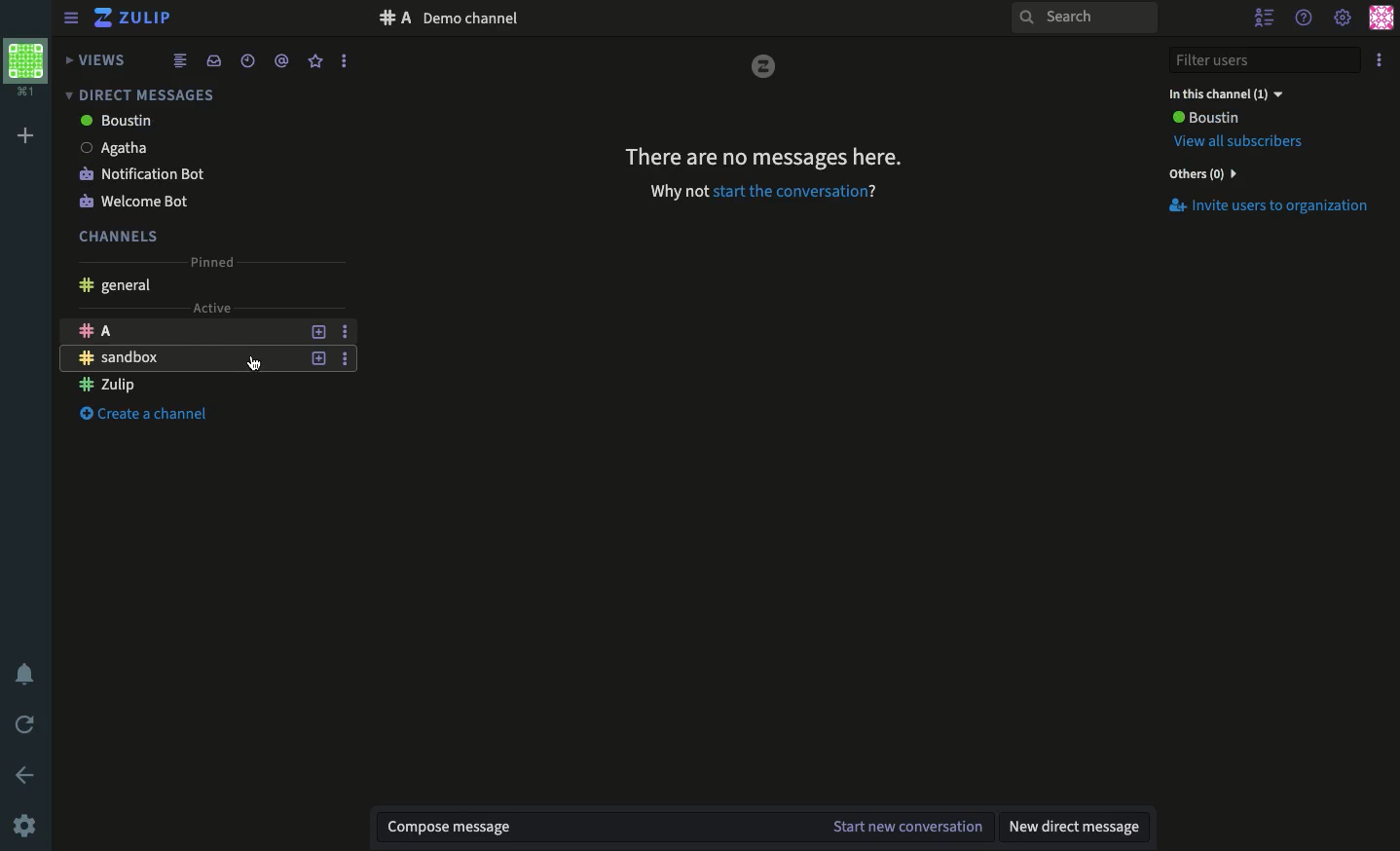 The width and height of the screenshot is (1400, 851). I want to click on Start the conversation, so click(904, 828).